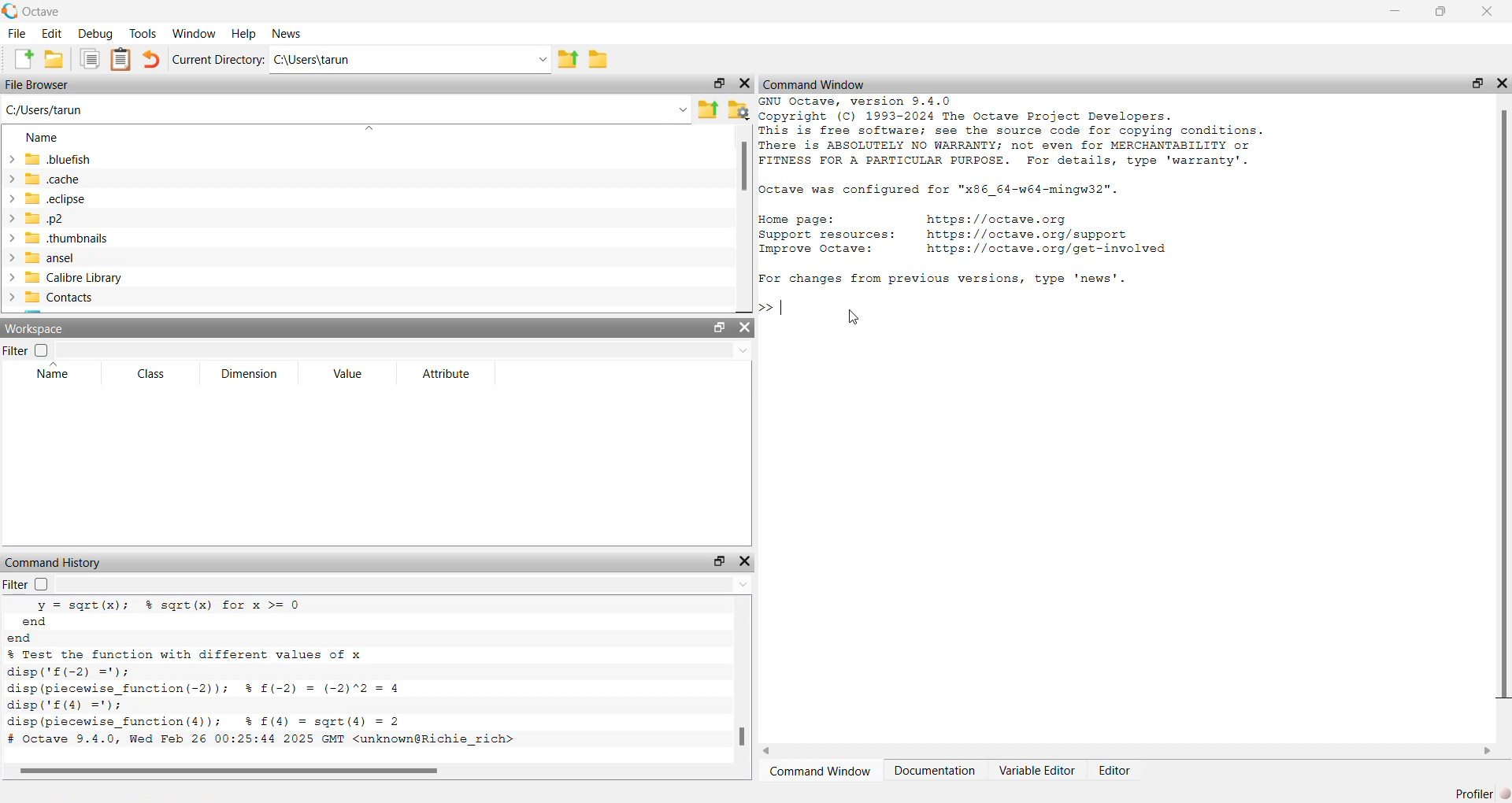 This screenshot has height=803, width=1512. Describe the element at coordinates (41, 83) in the screenshot. I see `File Browser` at that location.